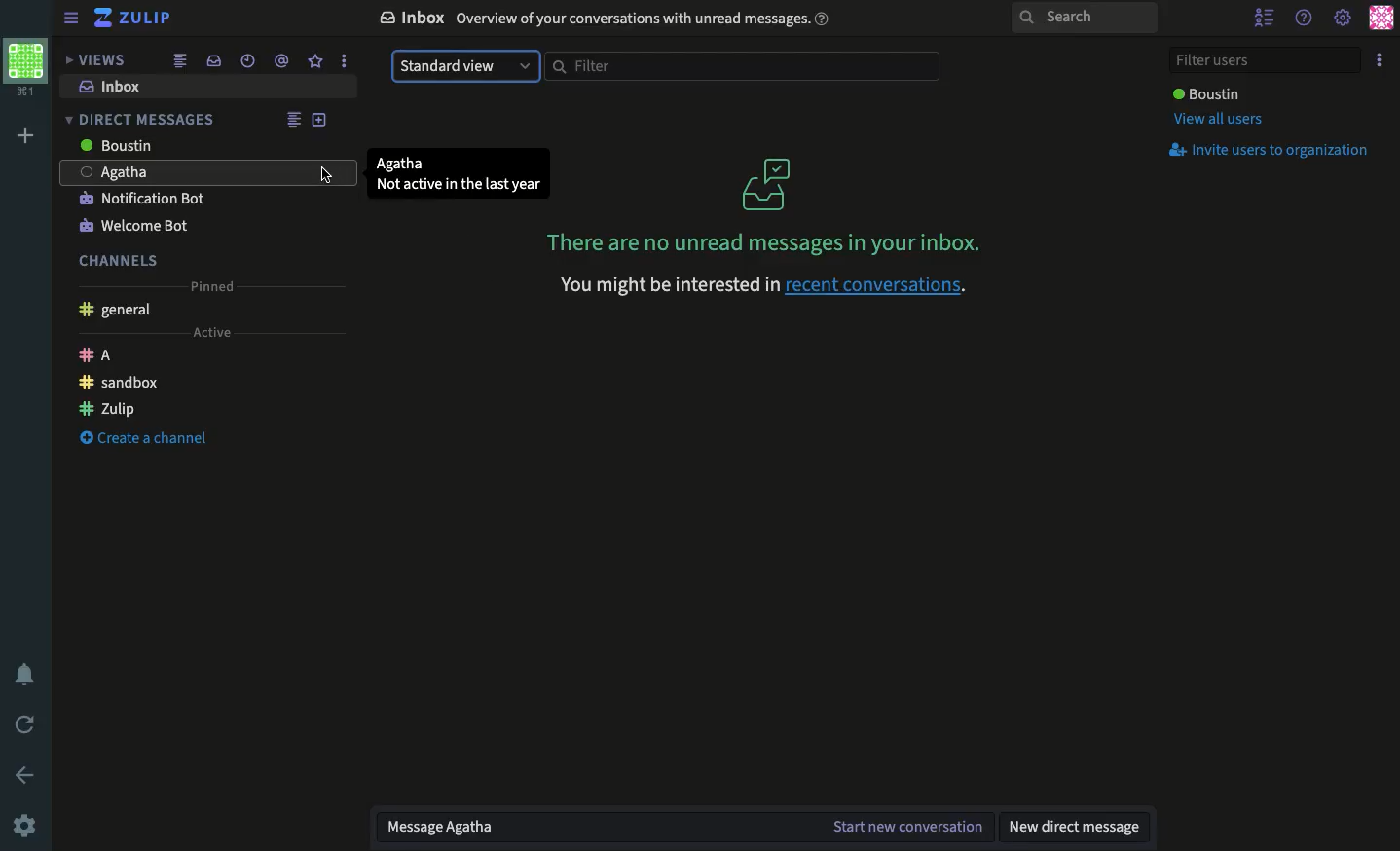 Image resolution: width=1400 pixels, height=851 pixels. I want to click on Profile, so click(26, 71).